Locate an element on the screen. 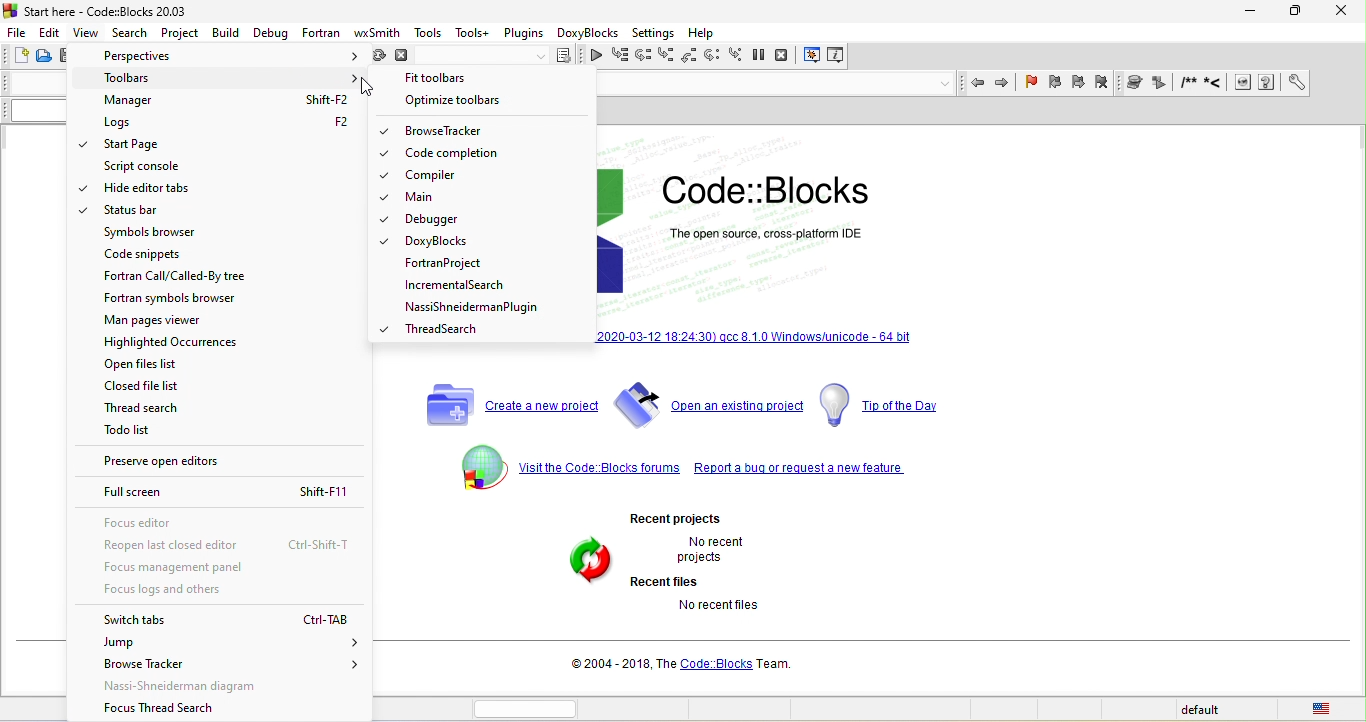  closed file list is located at coordinates (143, 388).